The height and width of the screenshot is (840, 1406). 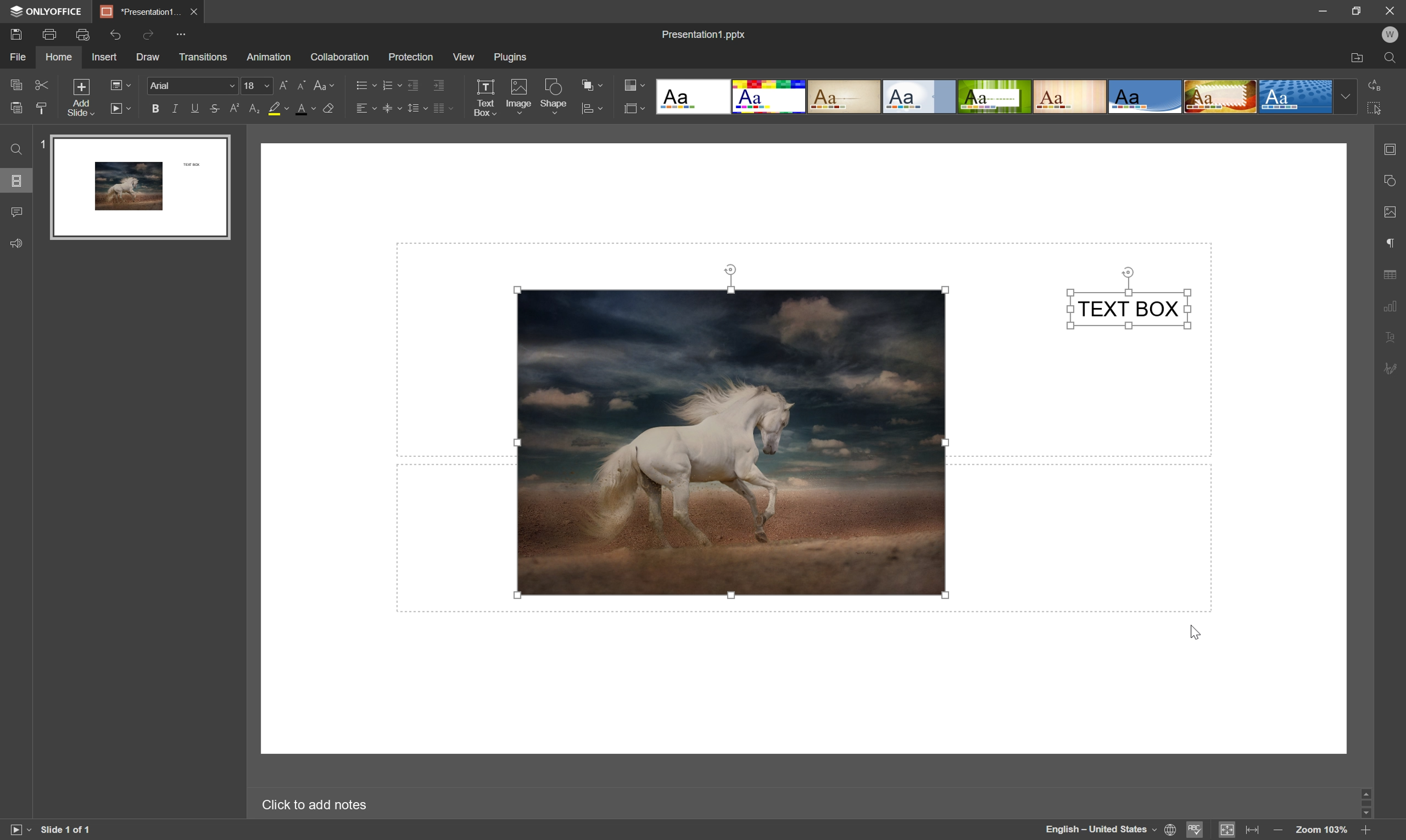 What do you see at coordinates (1196, 830) in the screenshot?
I see `spell checking` at bounding box center [1196, 830].